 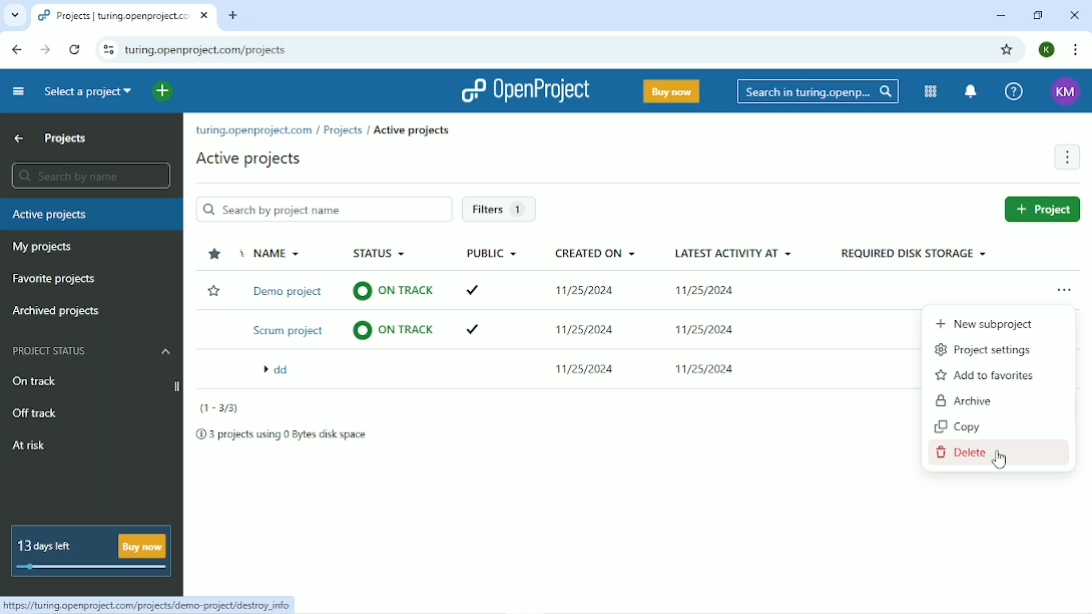 I want to click on on track, so click(x=394, y=332).